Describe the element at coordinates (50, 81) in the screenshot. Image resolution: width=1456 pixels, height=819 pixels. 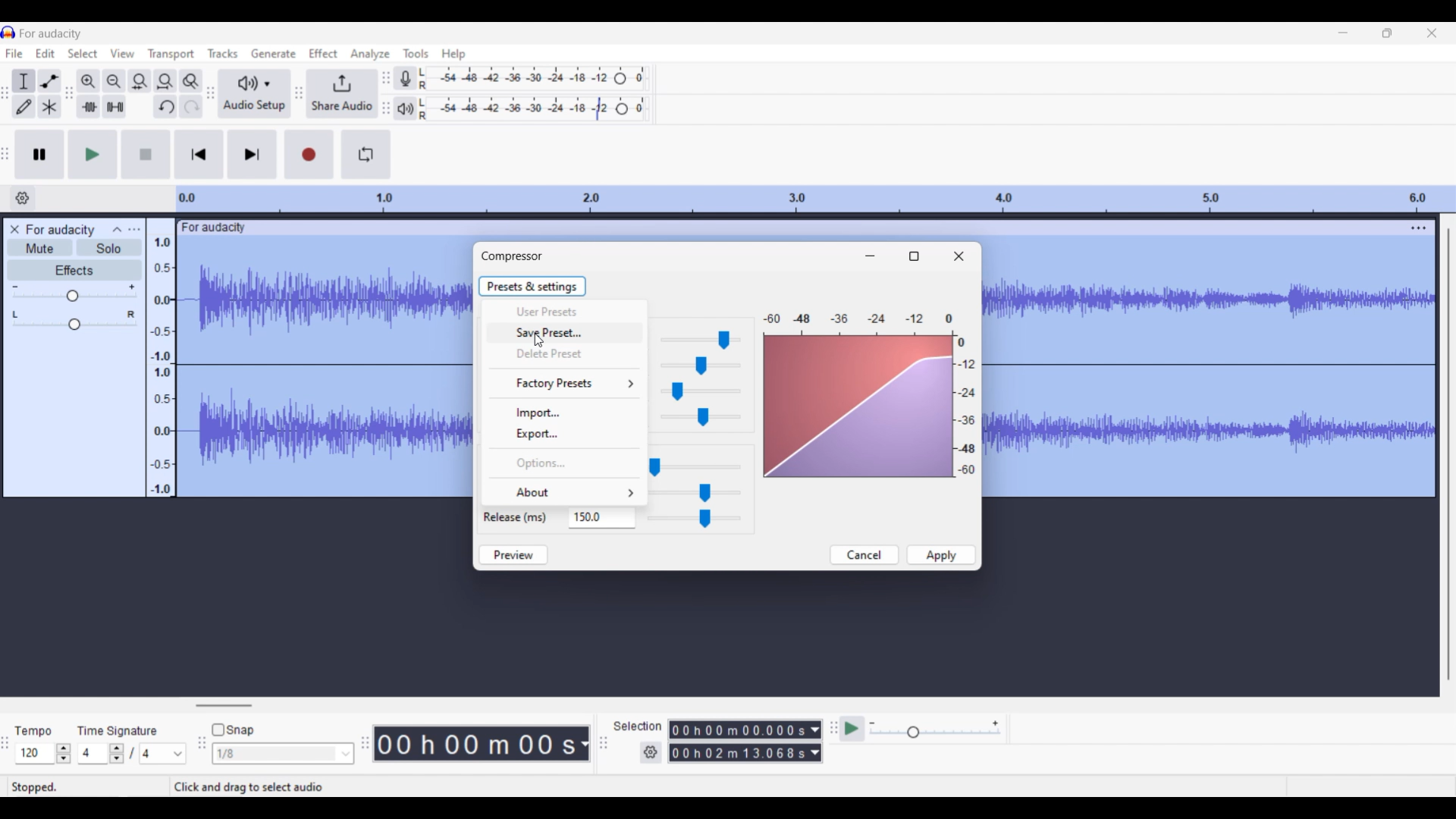
I see `Envelop tool` at that location.